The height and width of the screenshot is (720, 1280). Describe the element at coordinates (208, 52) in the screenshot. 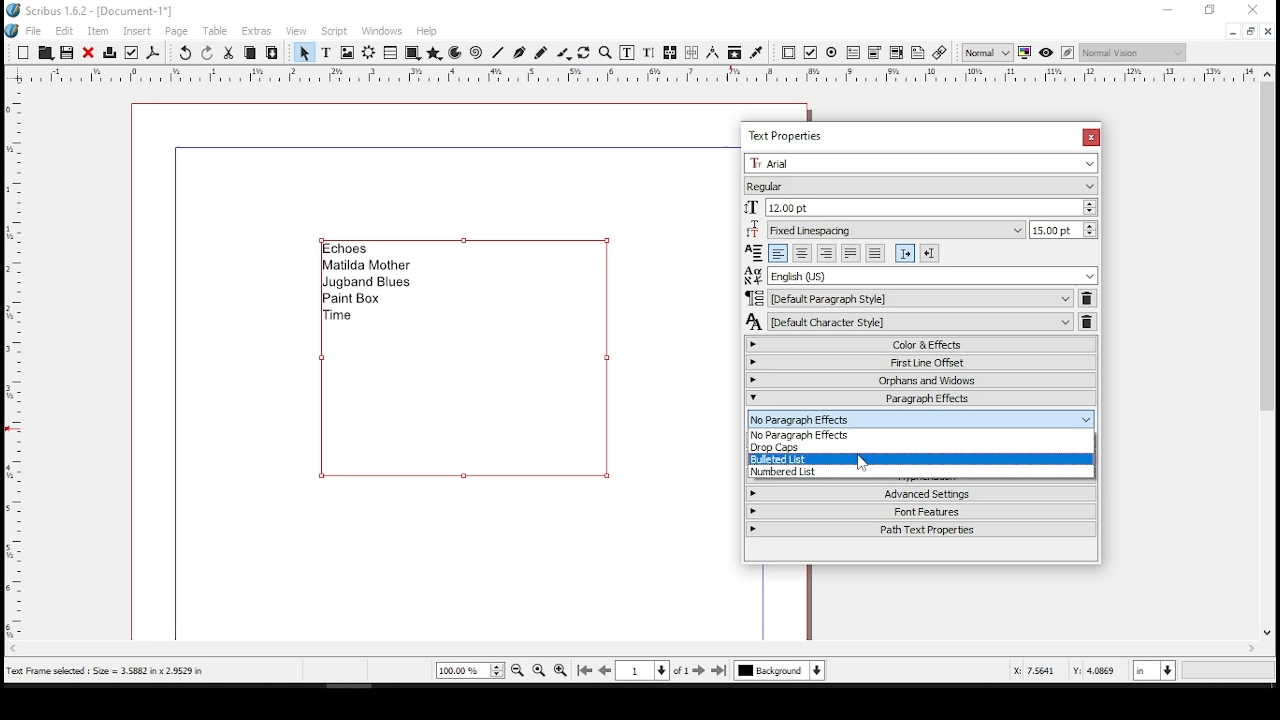

I see `redo` at that location.